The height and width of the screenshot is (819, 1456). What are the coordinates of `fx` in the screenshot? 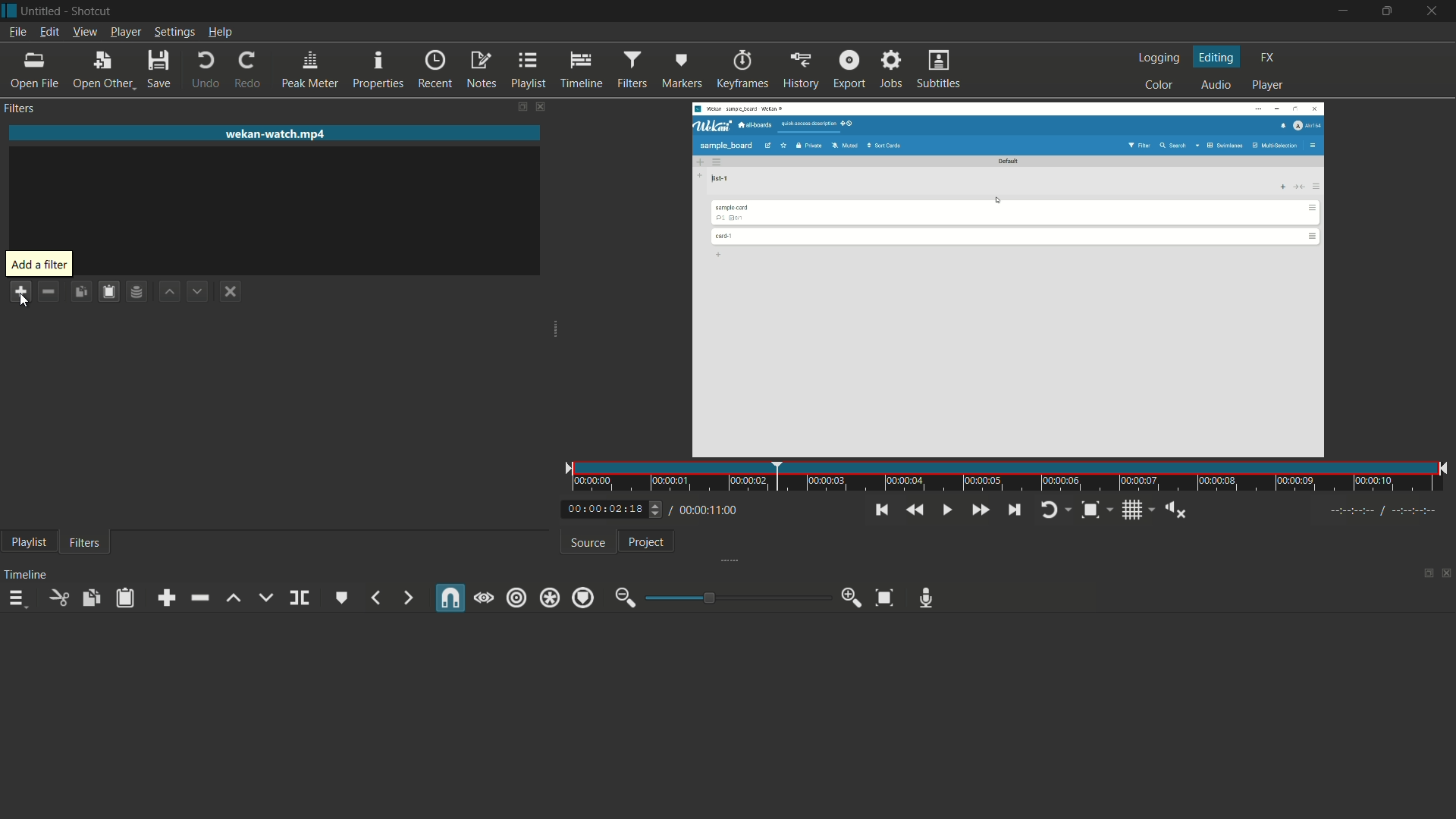 It's located at (1269, 58).